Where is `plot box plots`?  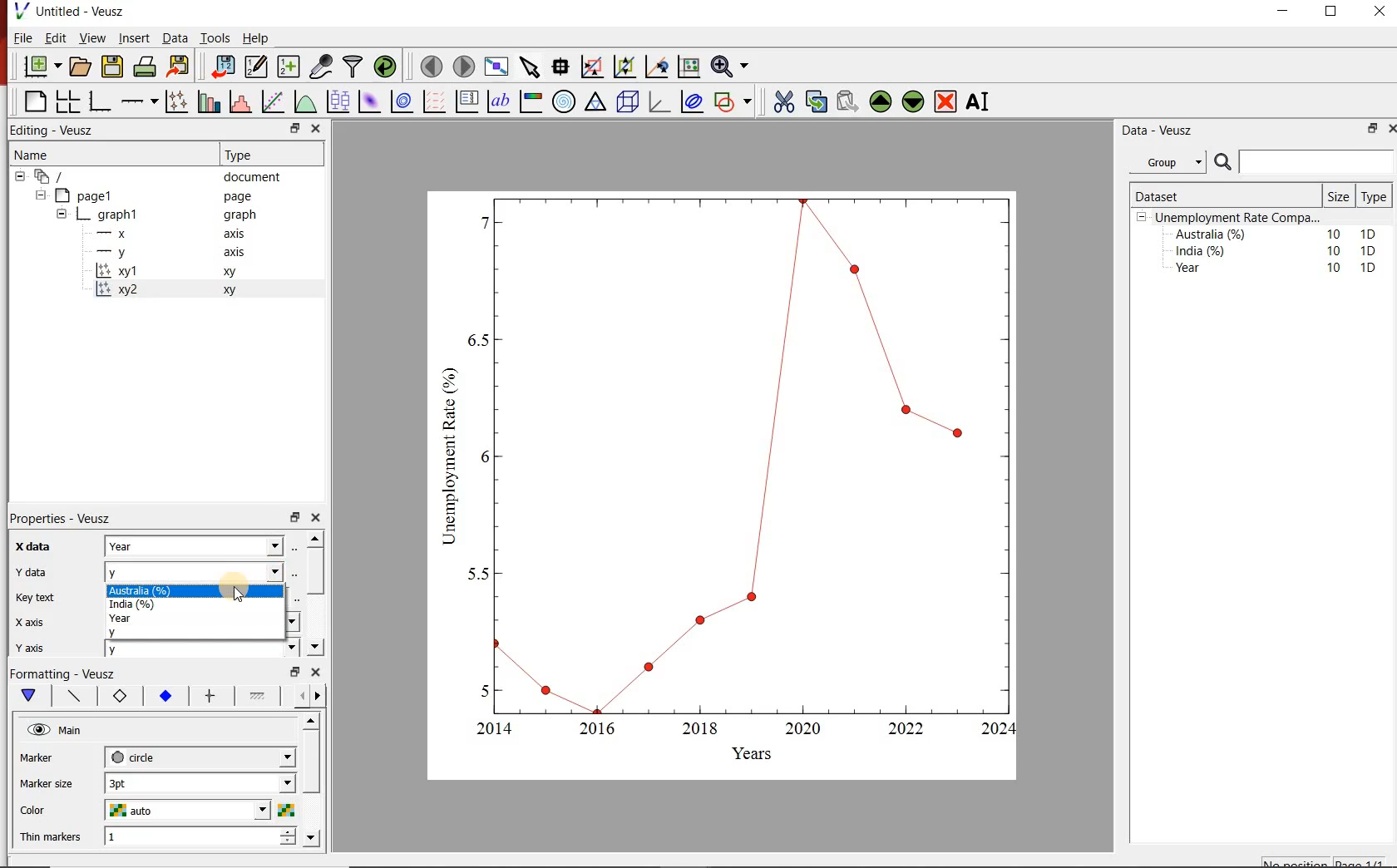 plot box plots is located at coordinates (338, 101).